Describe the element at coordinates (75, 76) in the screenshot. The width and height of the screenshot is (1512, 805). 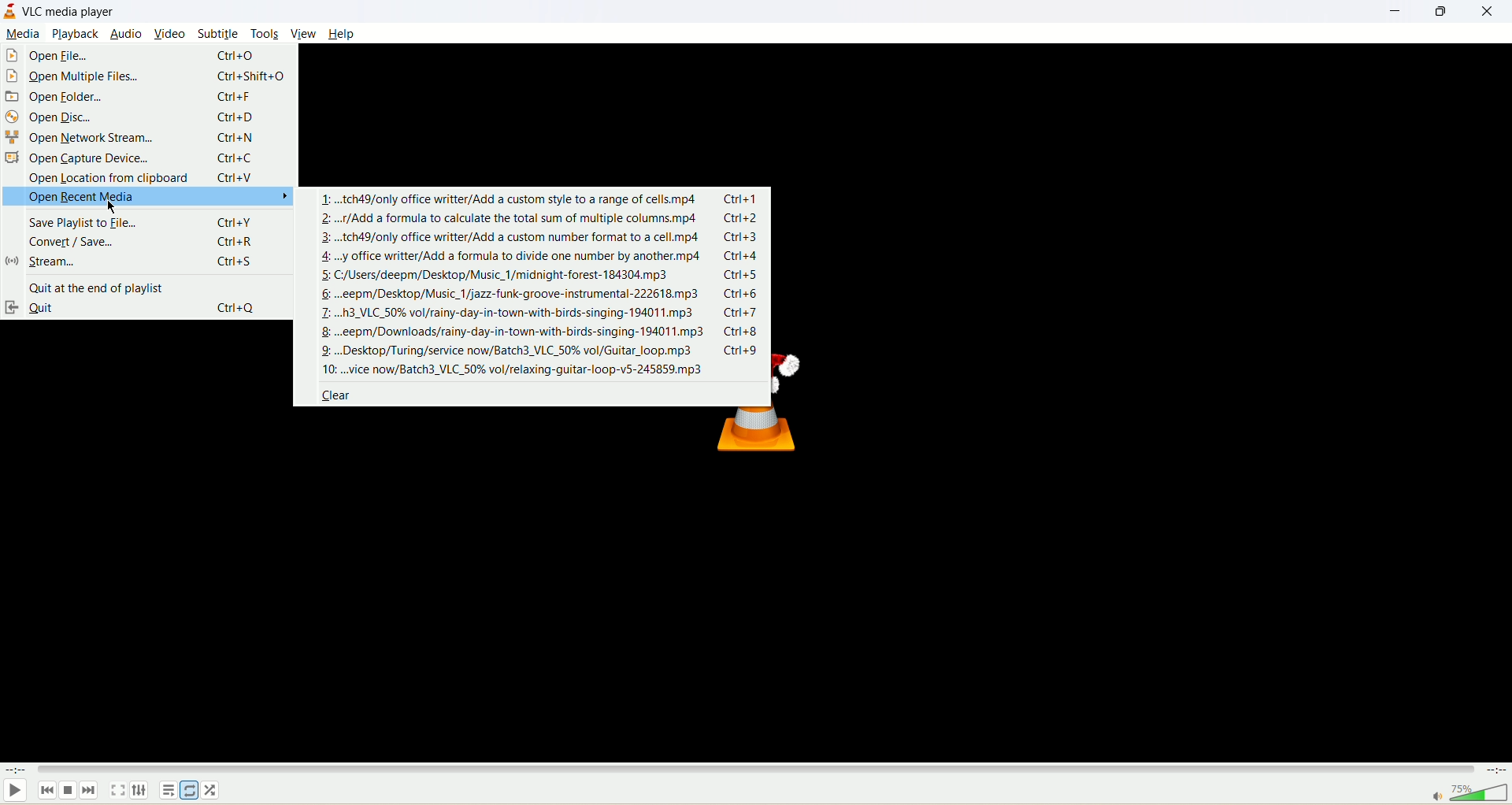
I see `open multiple file...` at that location.